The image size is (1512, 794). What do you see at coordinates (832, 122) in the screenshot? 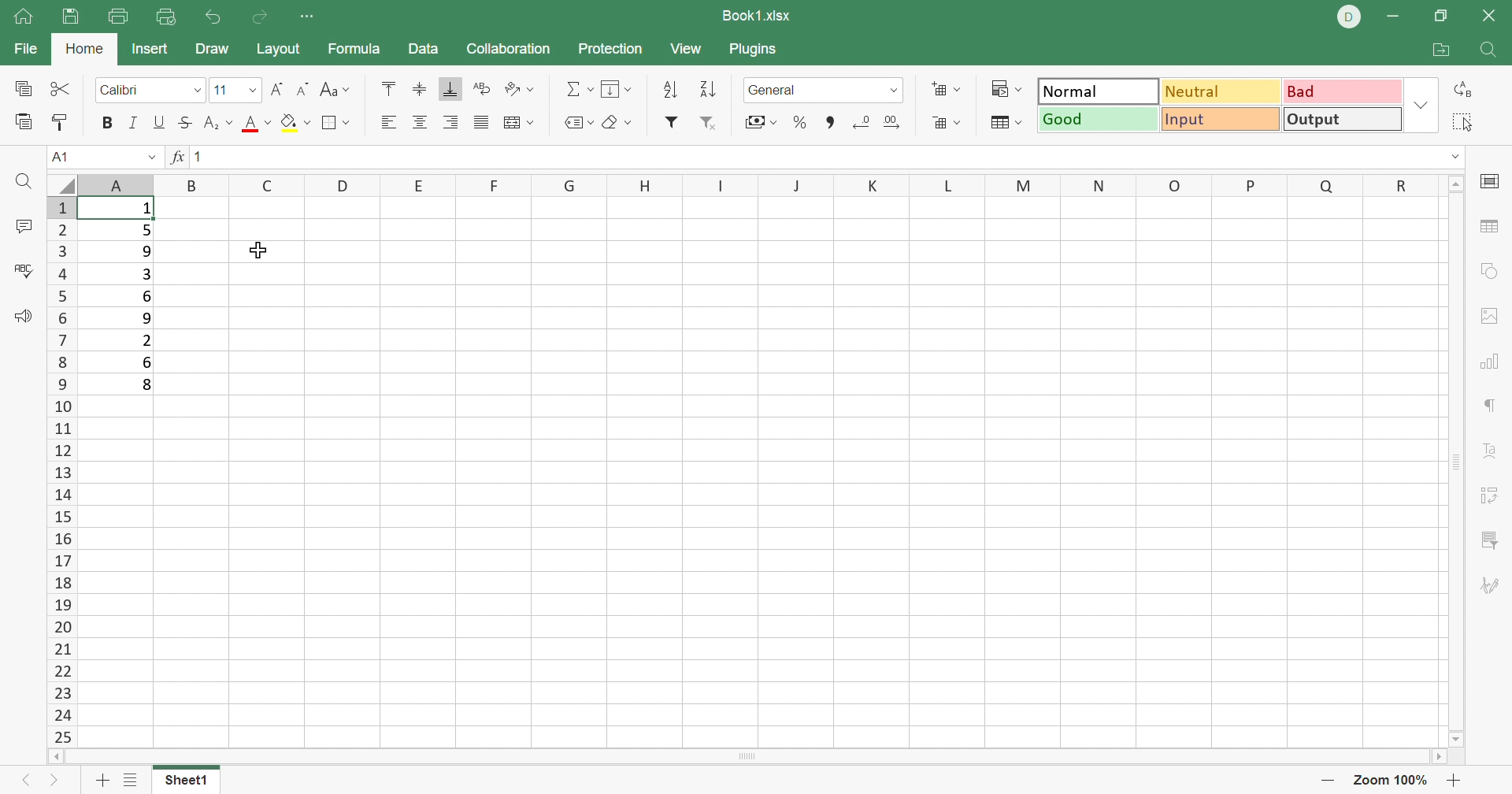
I see `Comma style` at bounding box center [832, 122].